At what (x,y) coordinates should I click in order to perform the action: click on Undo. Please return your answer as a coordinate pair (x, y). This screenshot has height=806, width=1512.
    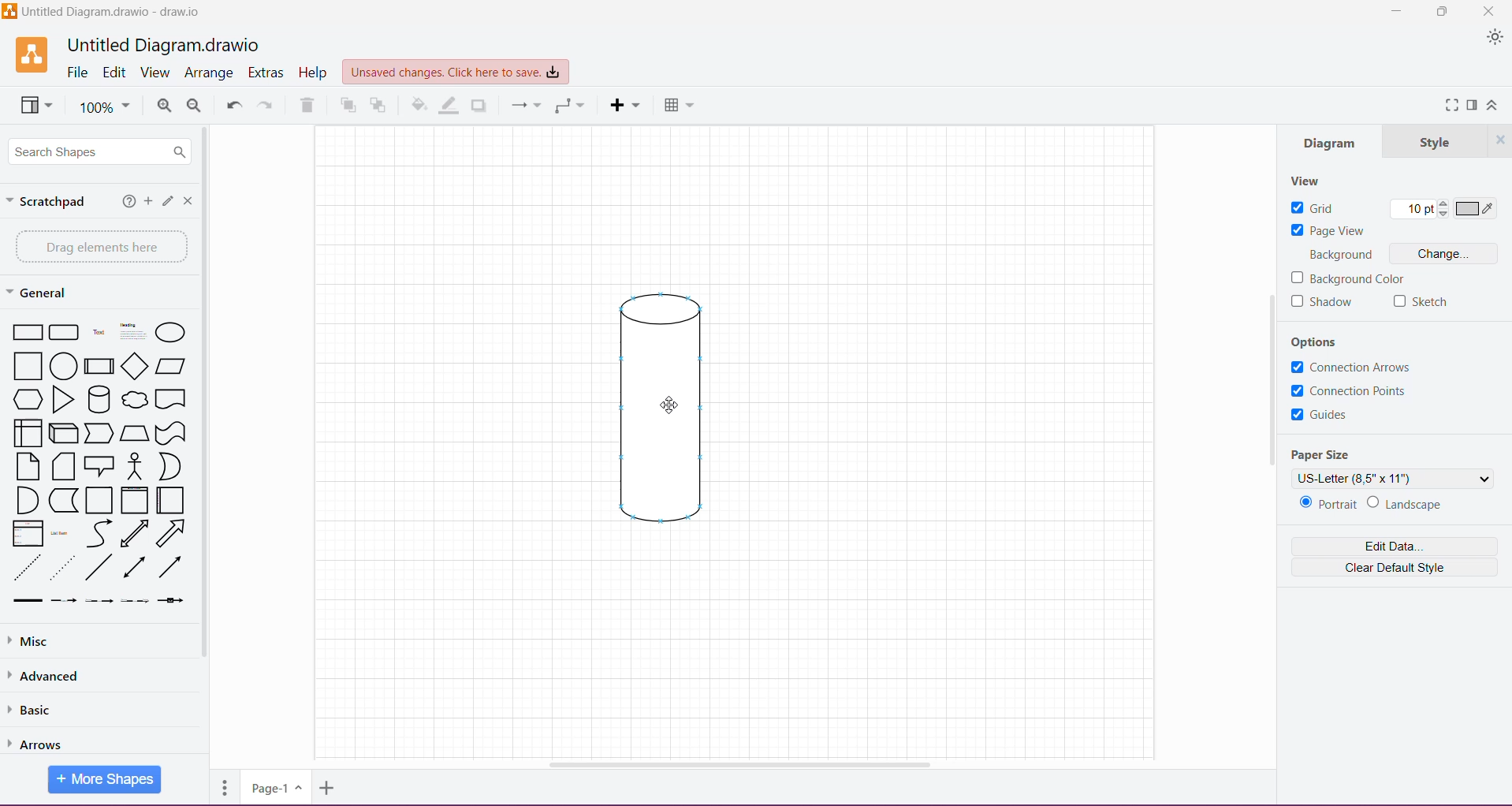
    Looking at the image, I should click on (233, 104).